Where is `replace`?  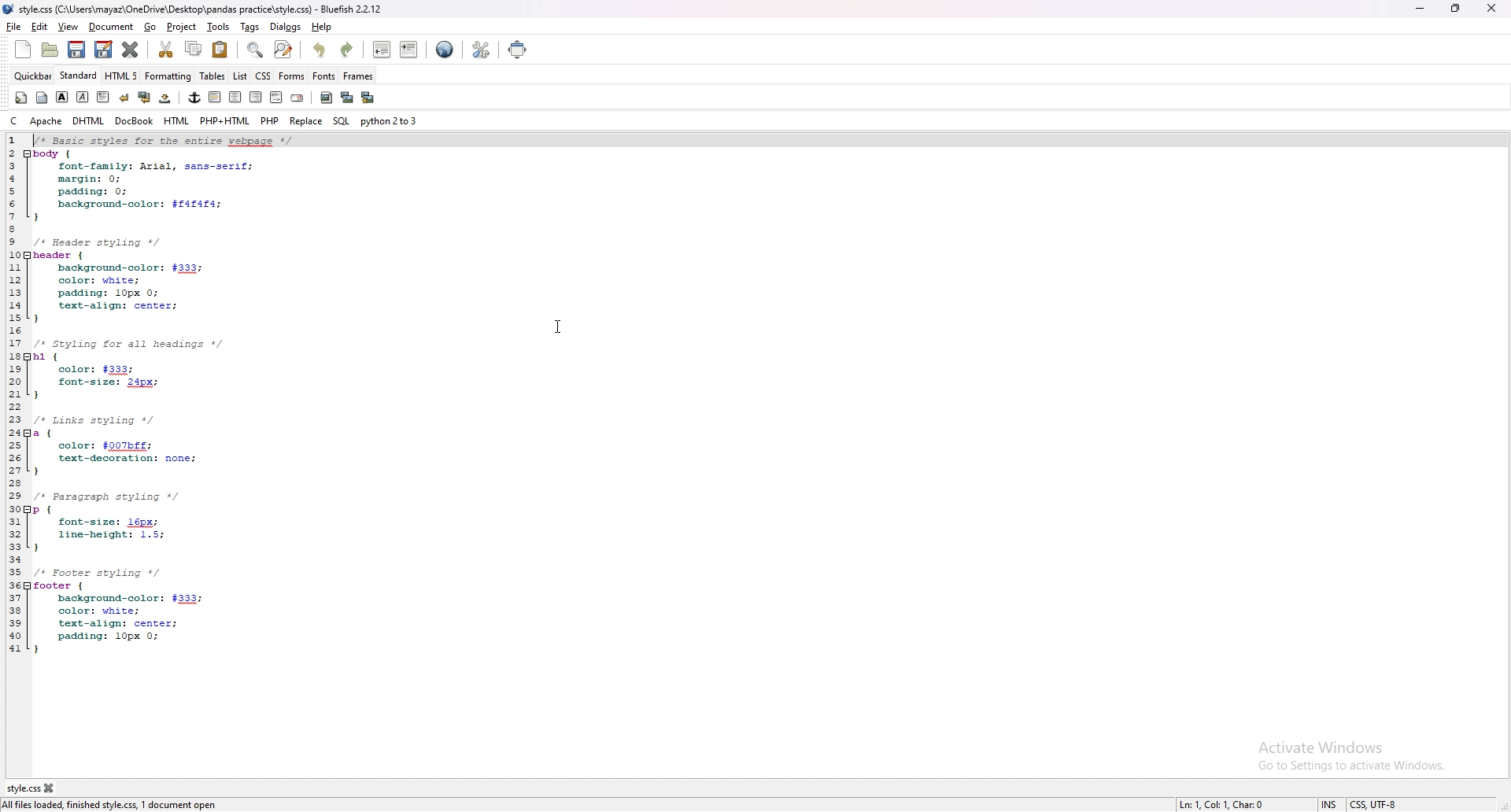 replace is located at coordinates (307, 121).